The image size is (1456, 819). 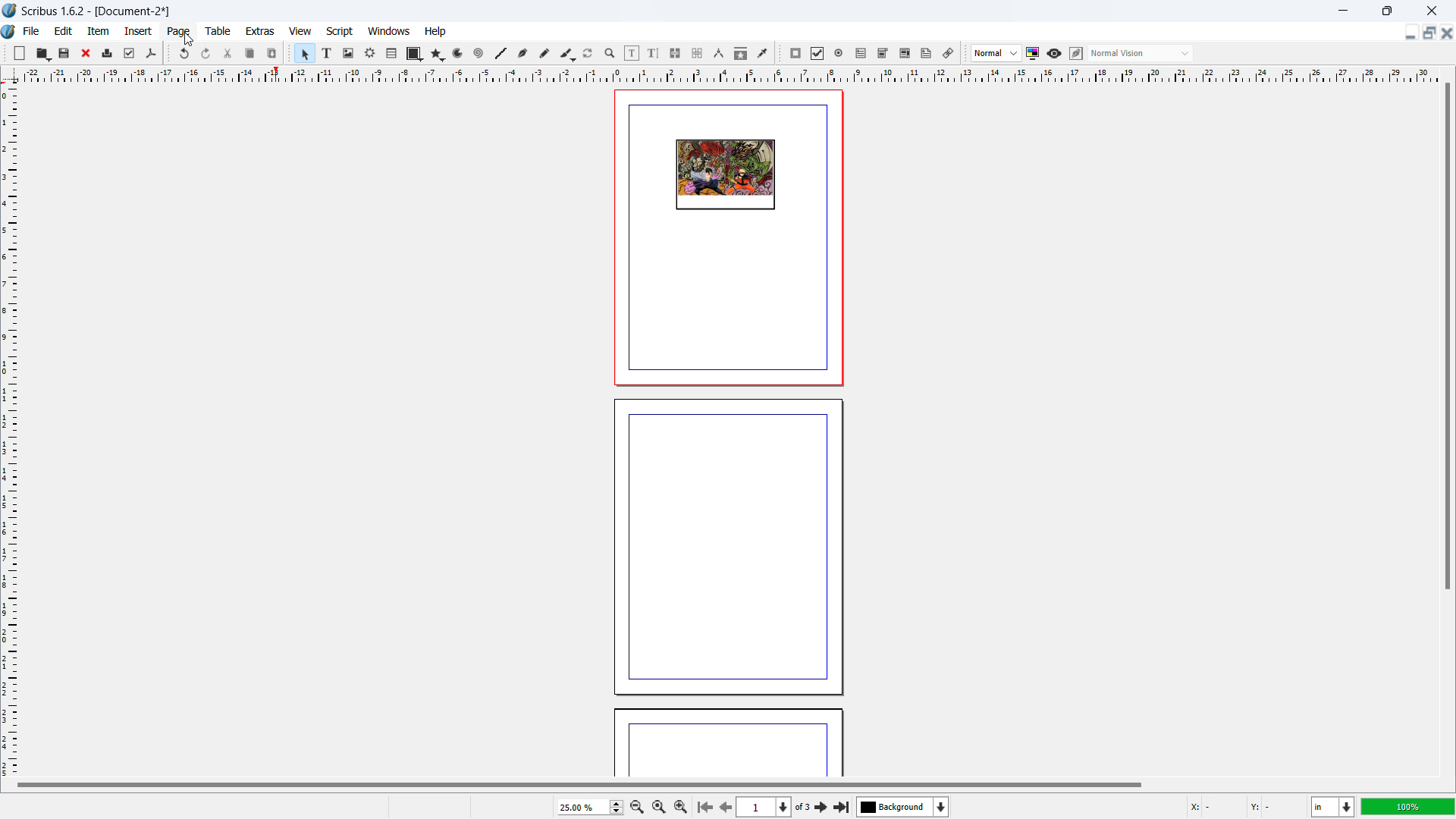 I want to click on script, so click(x=340, y=32).